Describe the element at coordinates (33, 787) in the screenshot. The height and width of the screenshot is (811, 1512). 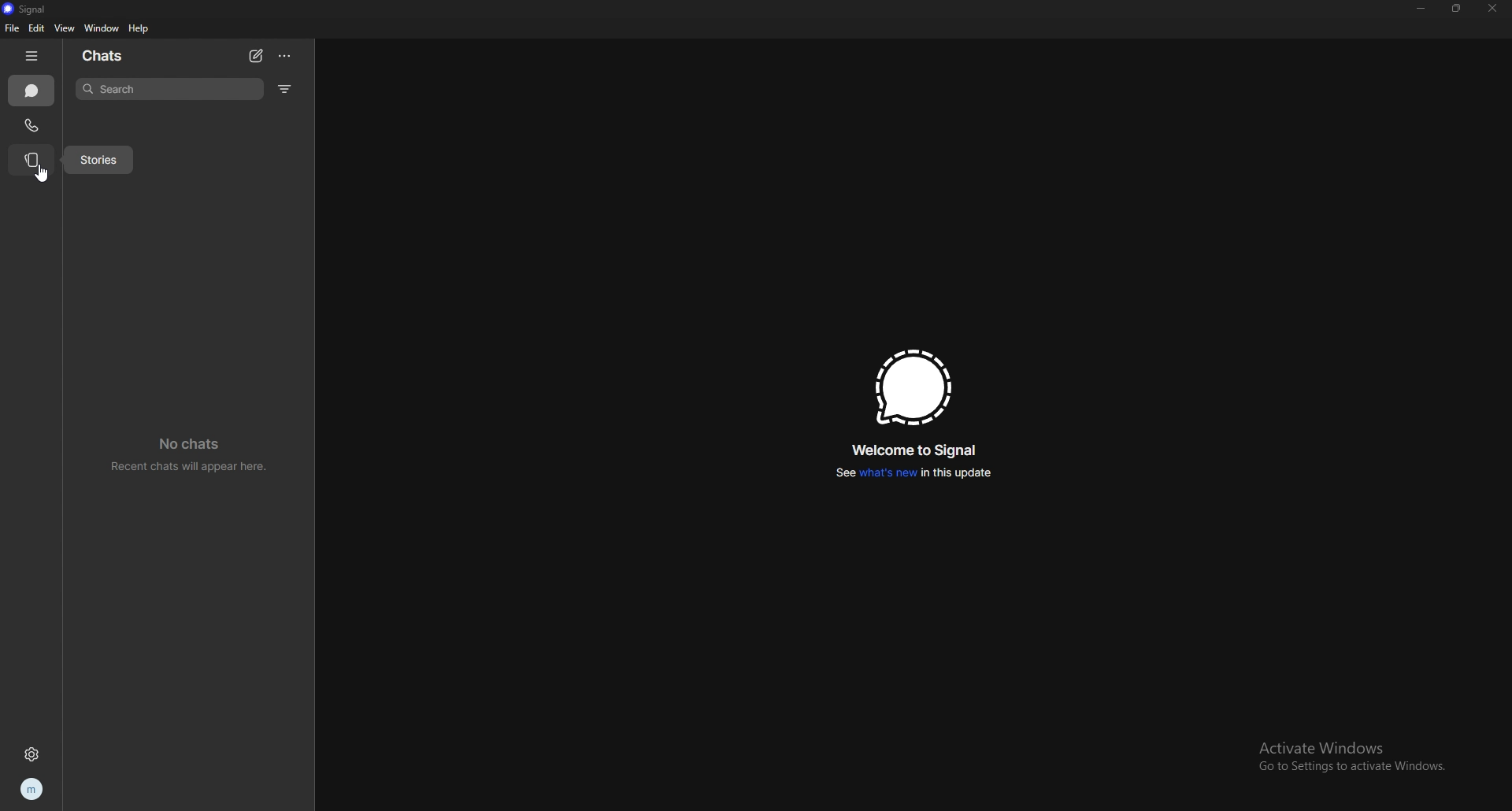
I see `profile` at that location.